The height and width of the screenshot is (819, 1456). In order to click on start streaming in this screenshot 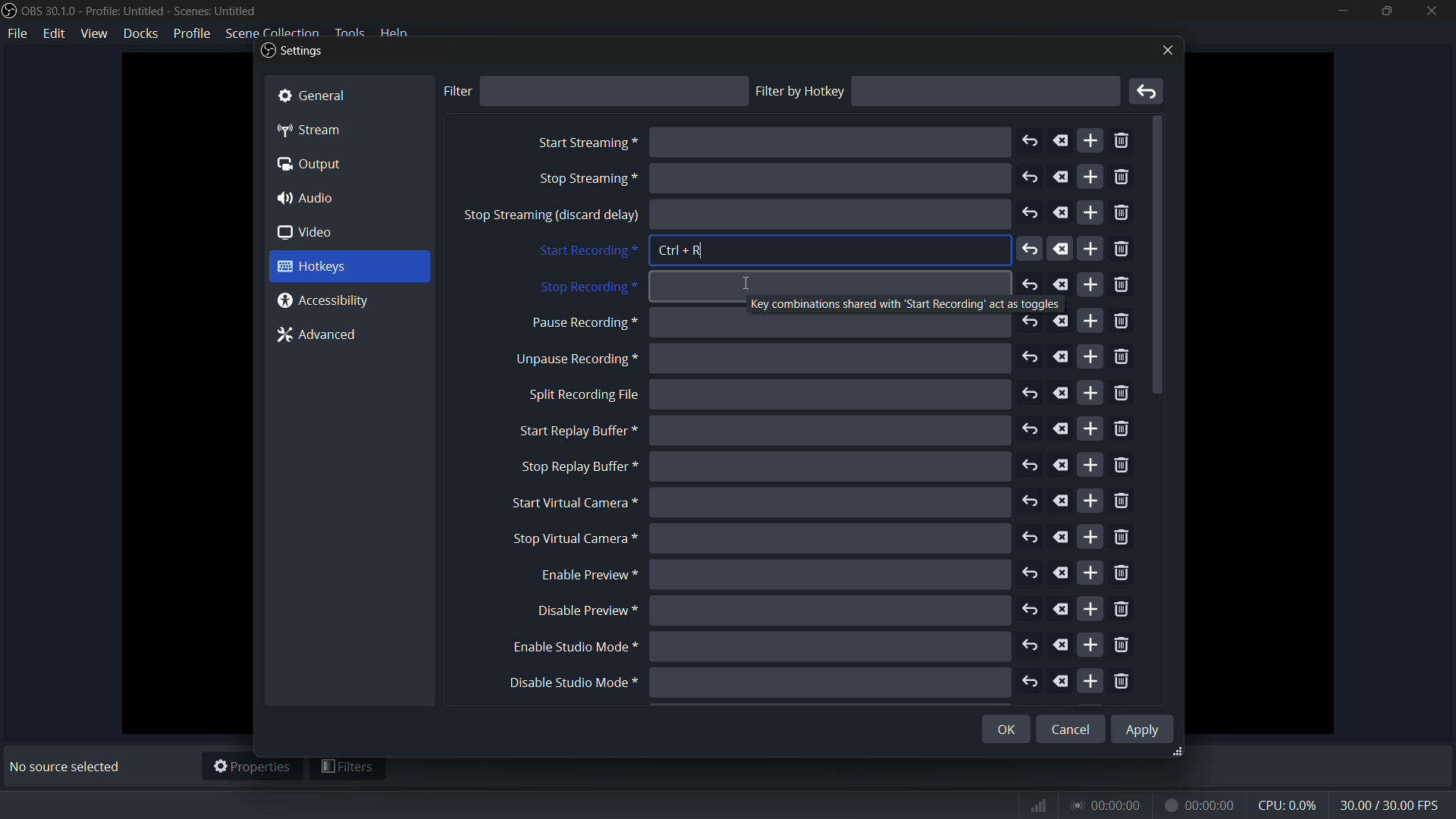, I will do `click(586, 143)`.